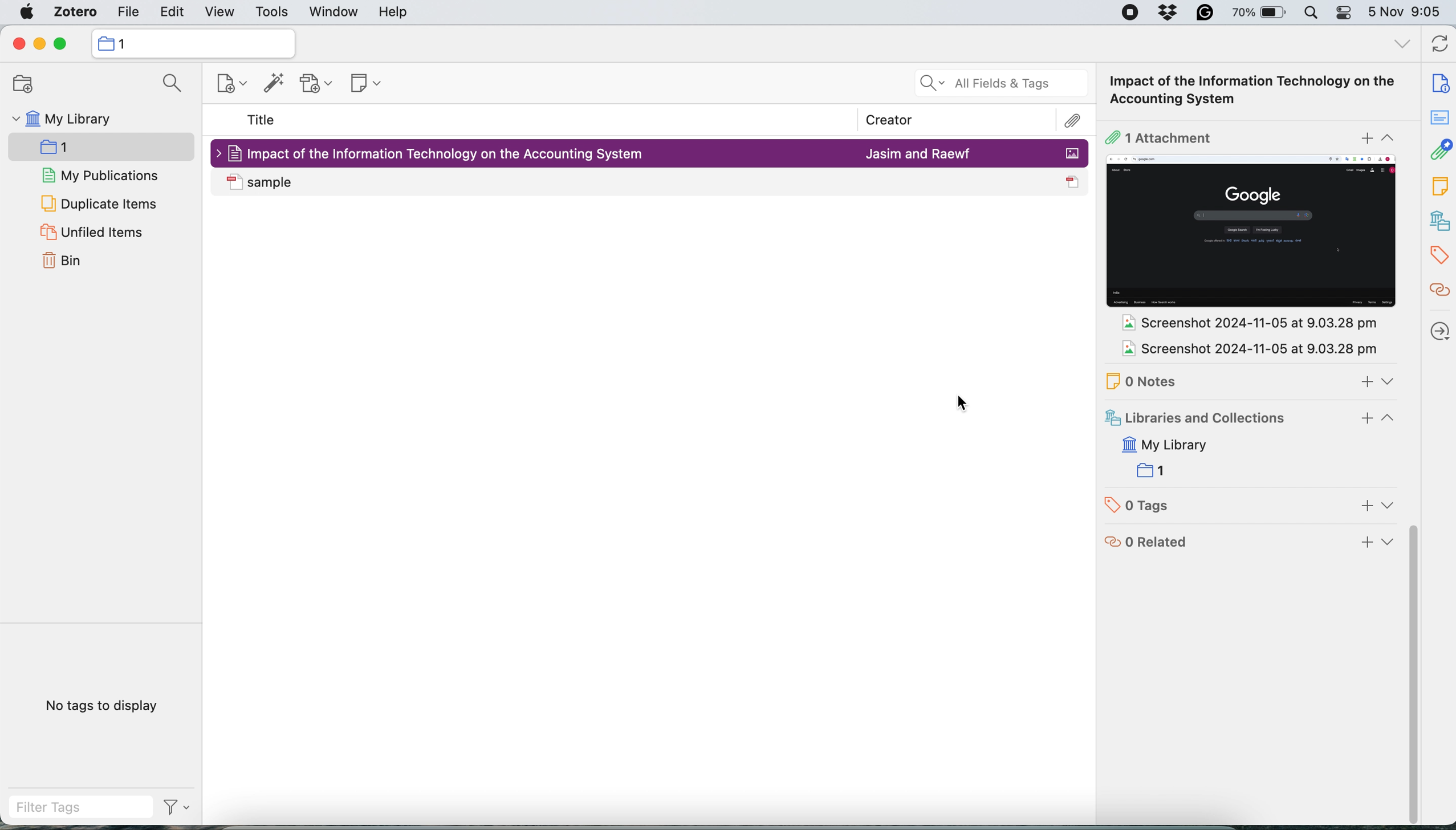 Image resolution: width=1456 pixels, height=830 pixels. What do you see at coordinates (101, 177) in the screenshot?
I see `my publications` at bounding box center [101, 177].